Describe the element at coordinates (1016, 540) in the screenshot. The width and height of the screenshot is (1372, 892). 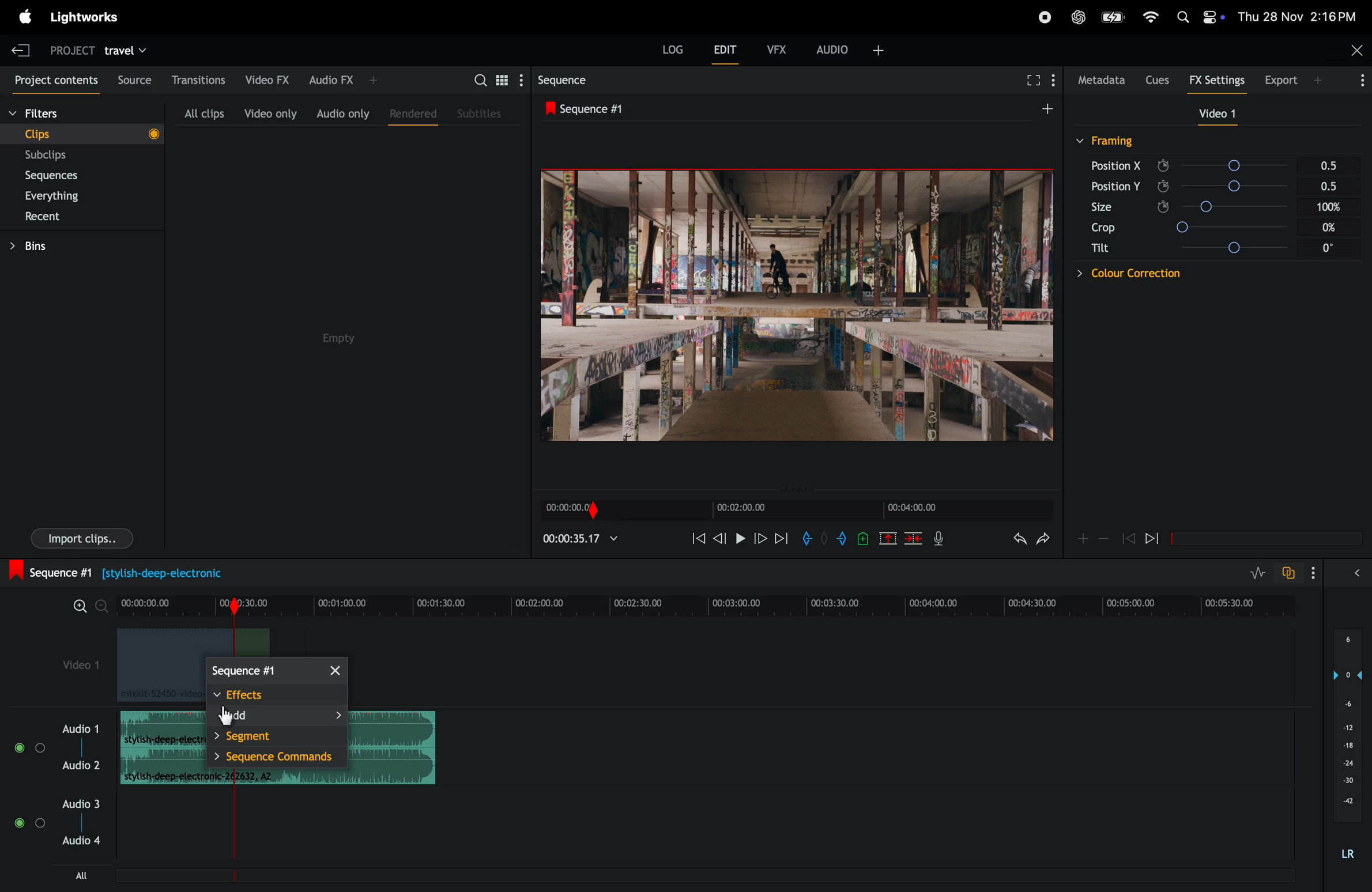
I see `redo` at that location.